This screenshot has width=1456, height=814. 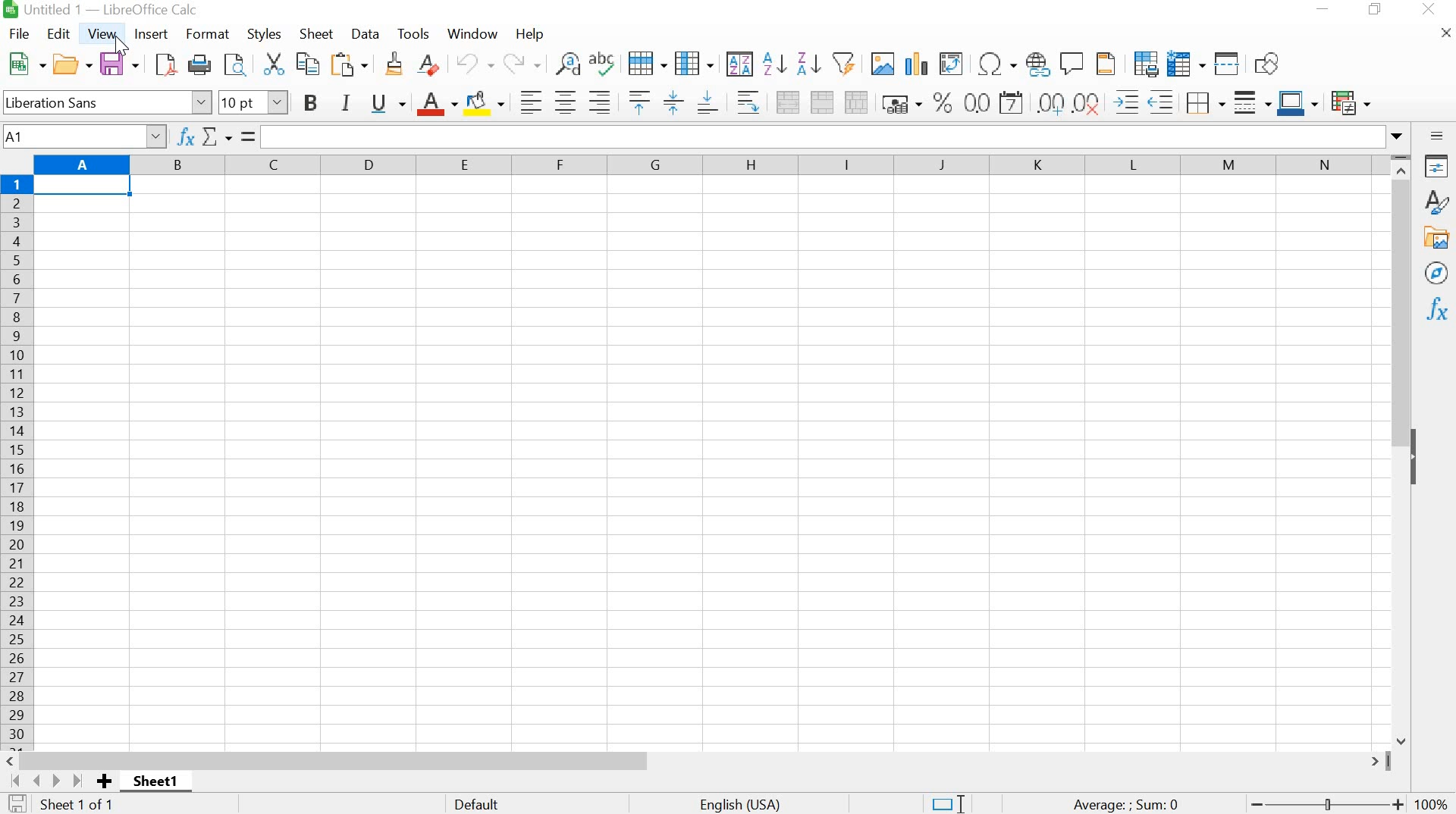 I want to click on ZOOM FACTOR, so click(x=1433, y=794).